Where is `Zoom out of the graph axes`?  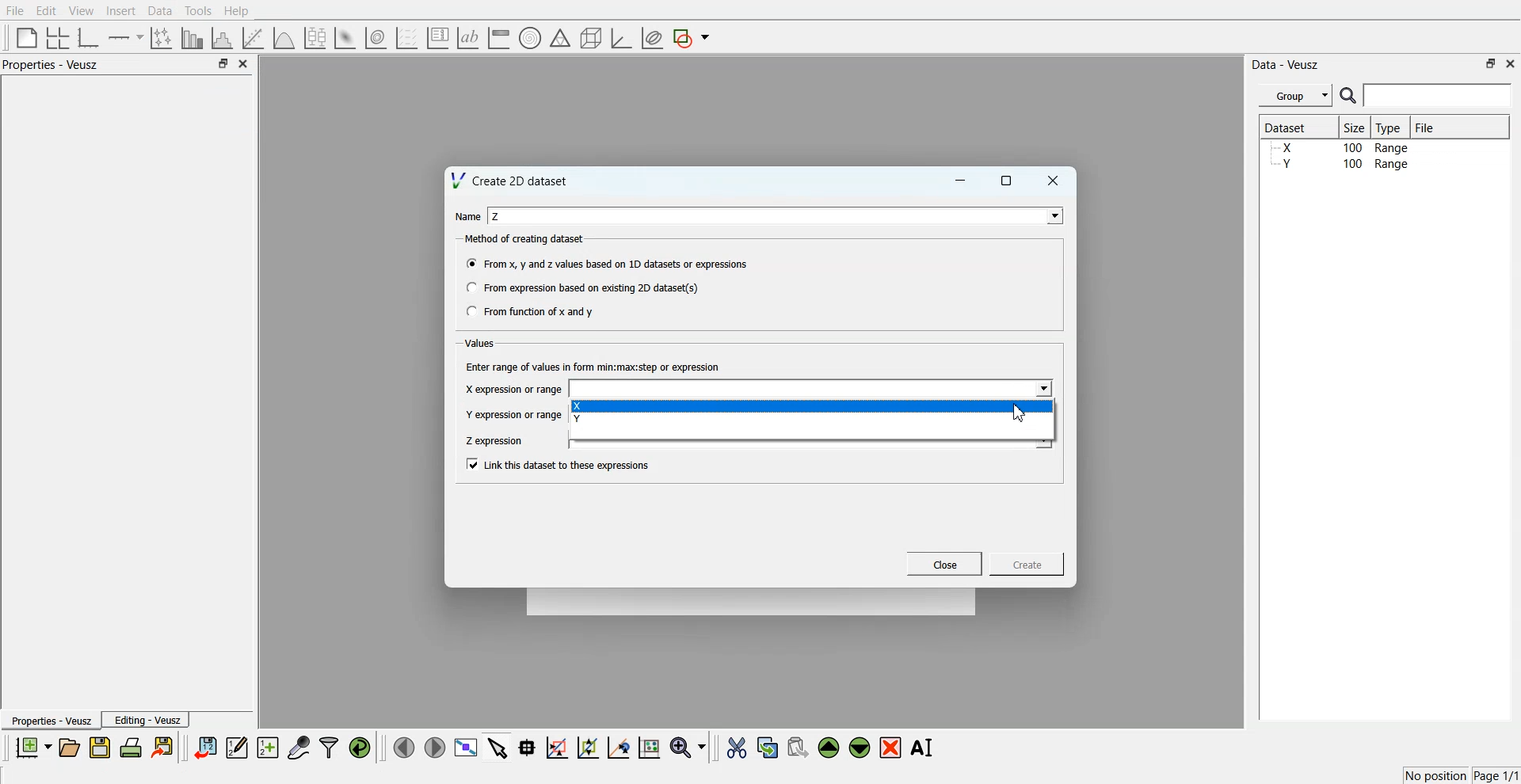 Zoom out of the graph axes is located at coordinates (588, 747).